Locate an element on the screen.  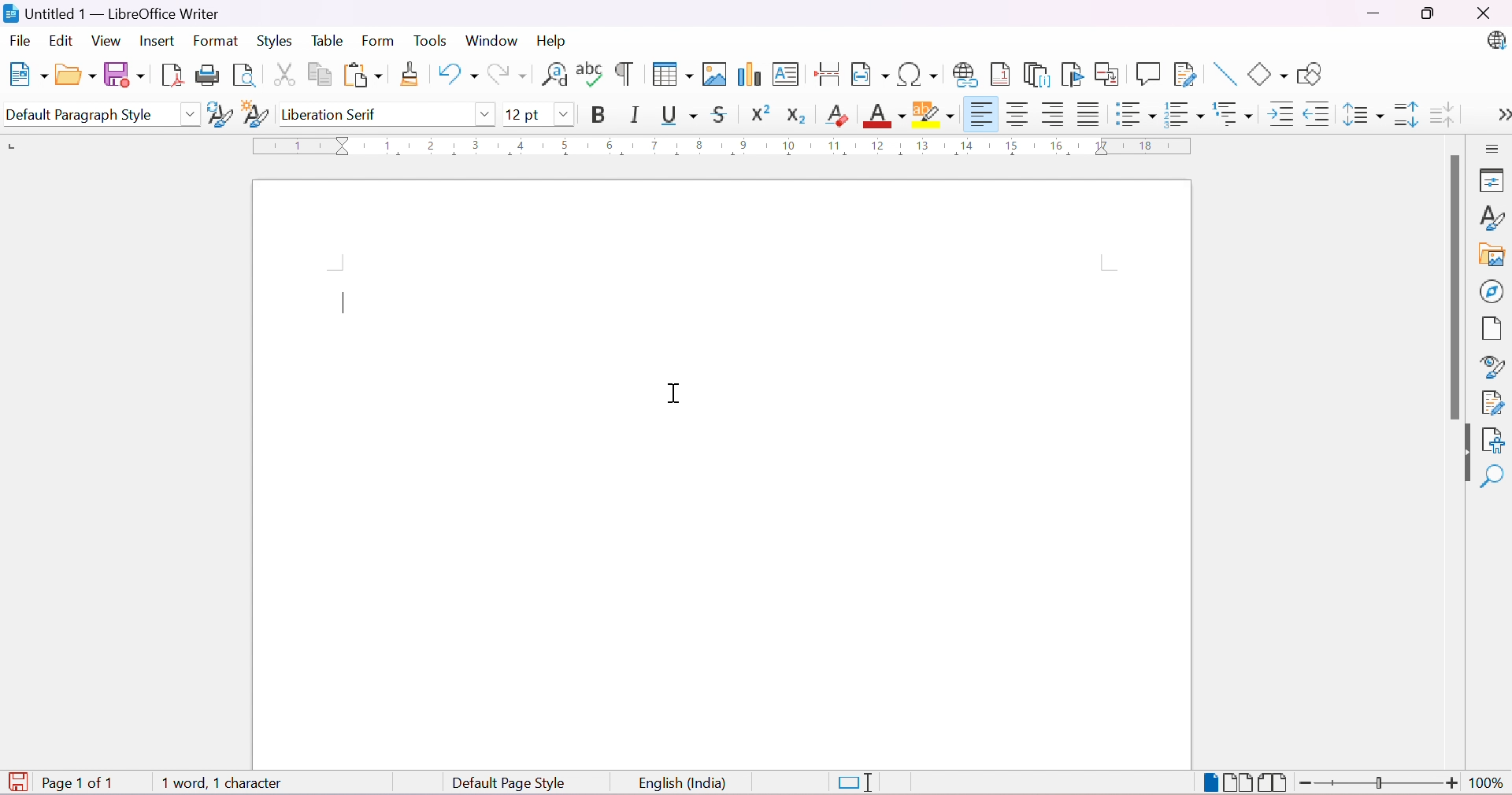
Align Left is located at coordinates (979, 115).